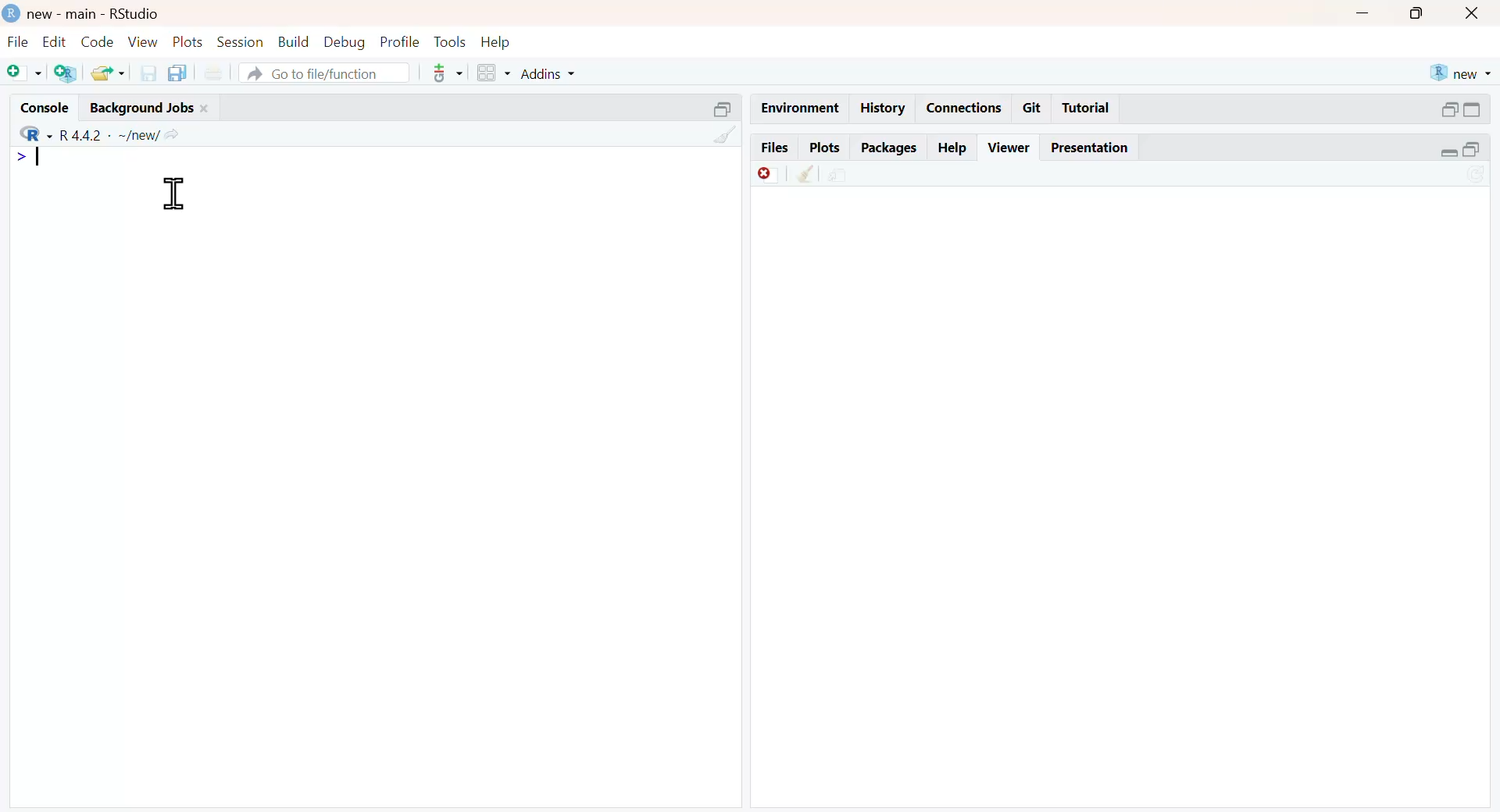  Describe the element at coordinates (241, 42) in the screenshot. I see `session` at that location.